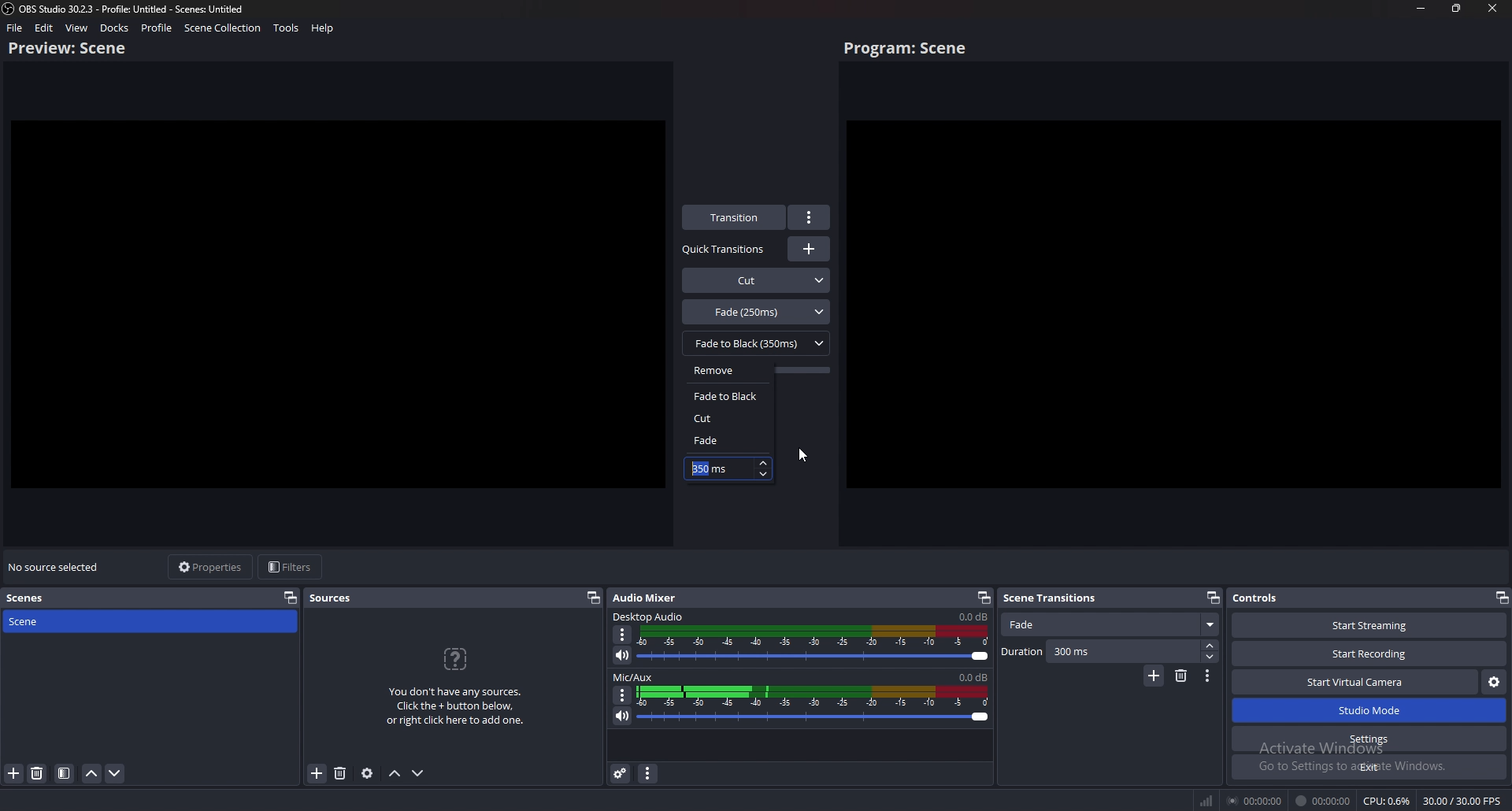 The image size is (1512, 811). Describe the element at coordinates (810, 217) in the screenshot. I see `options` at that location.